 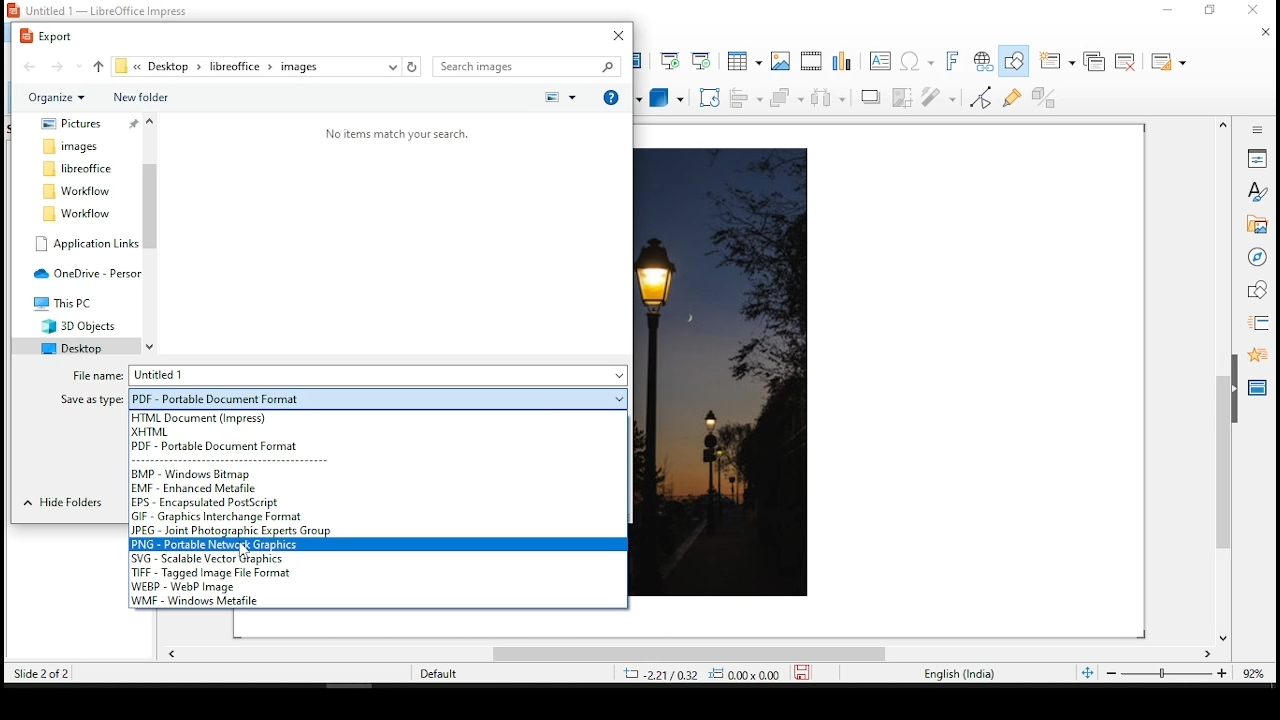 I want to click on file path, so click(x=249, y=67).